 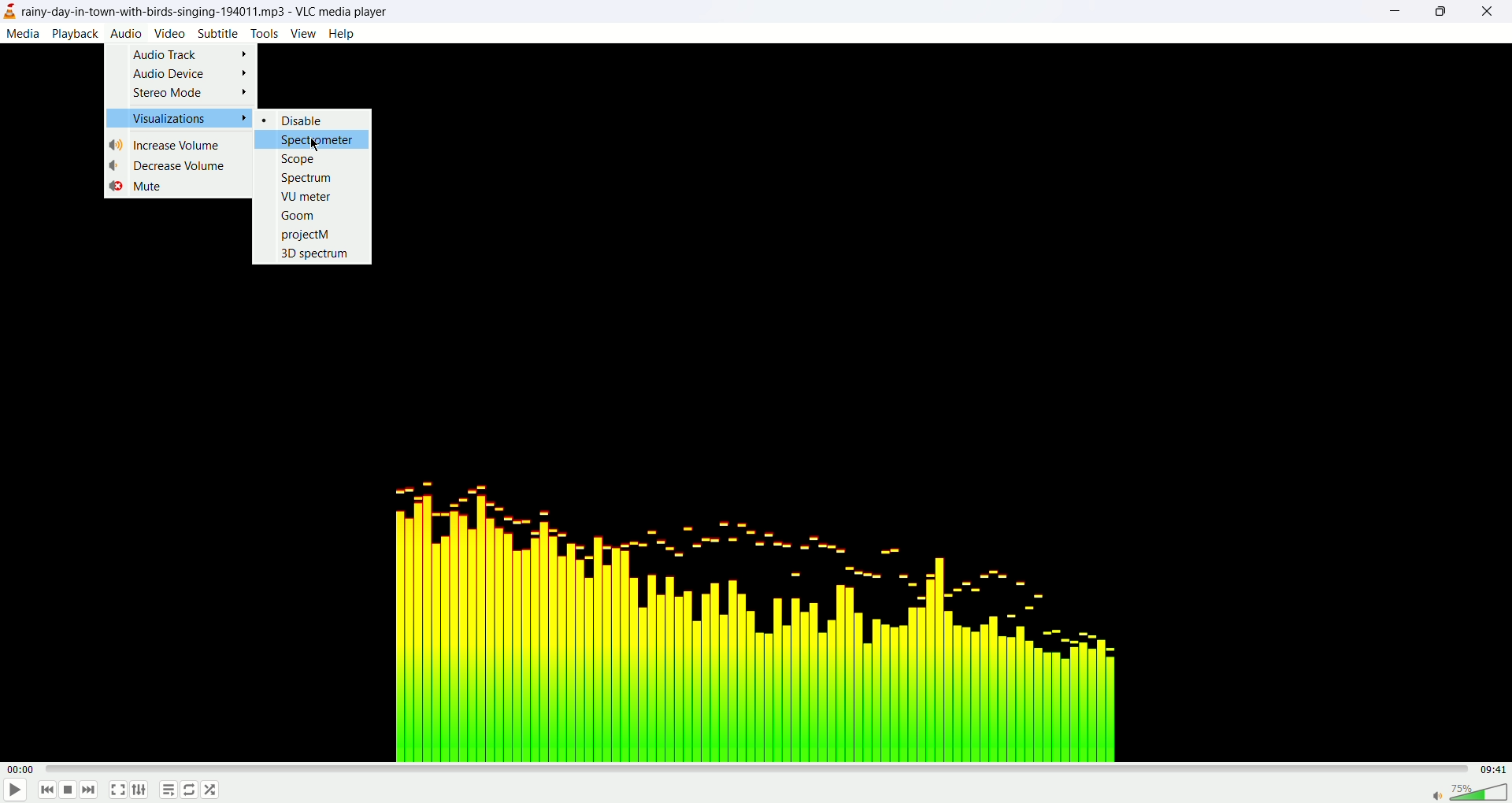 I want to click on previous, so click(x=46, y=790).